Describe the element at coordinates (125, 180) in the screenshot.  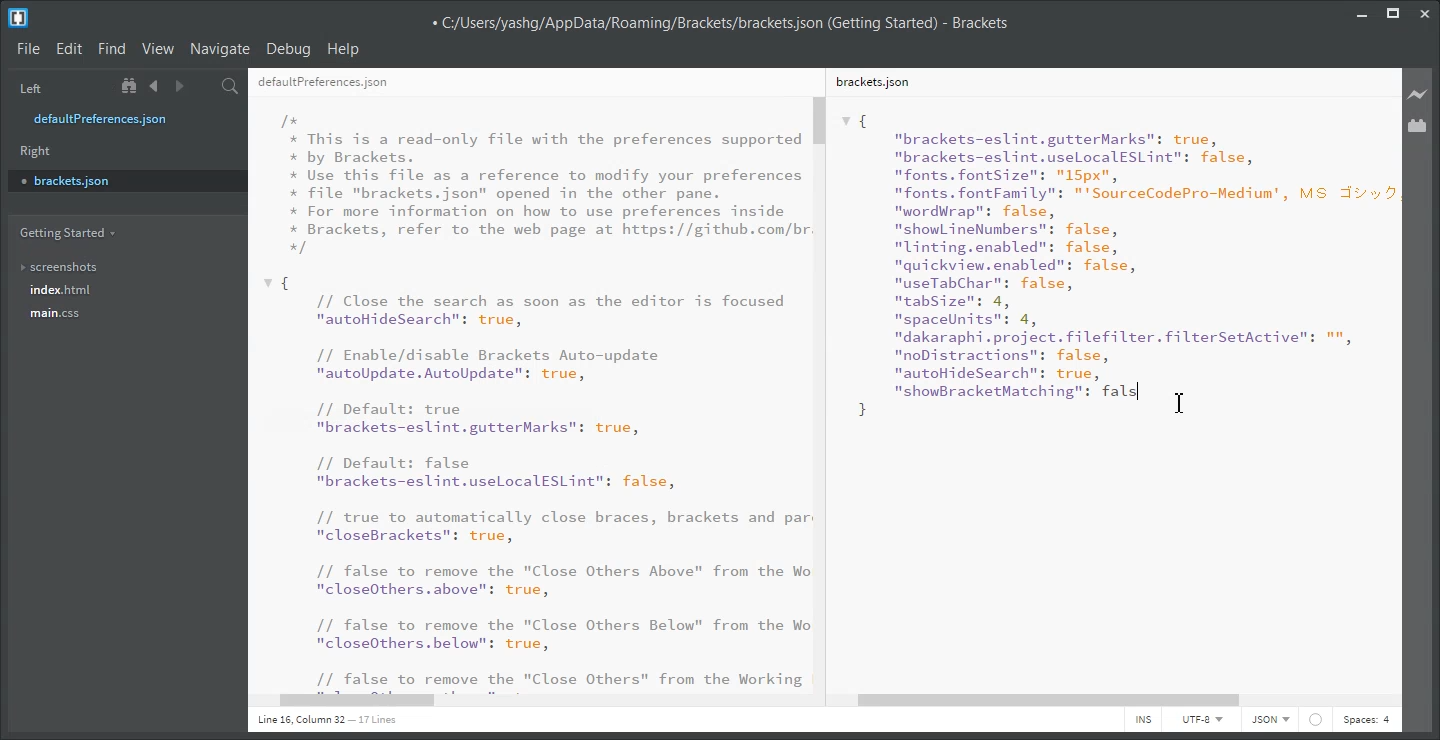
I see `brackets.json` at that location.